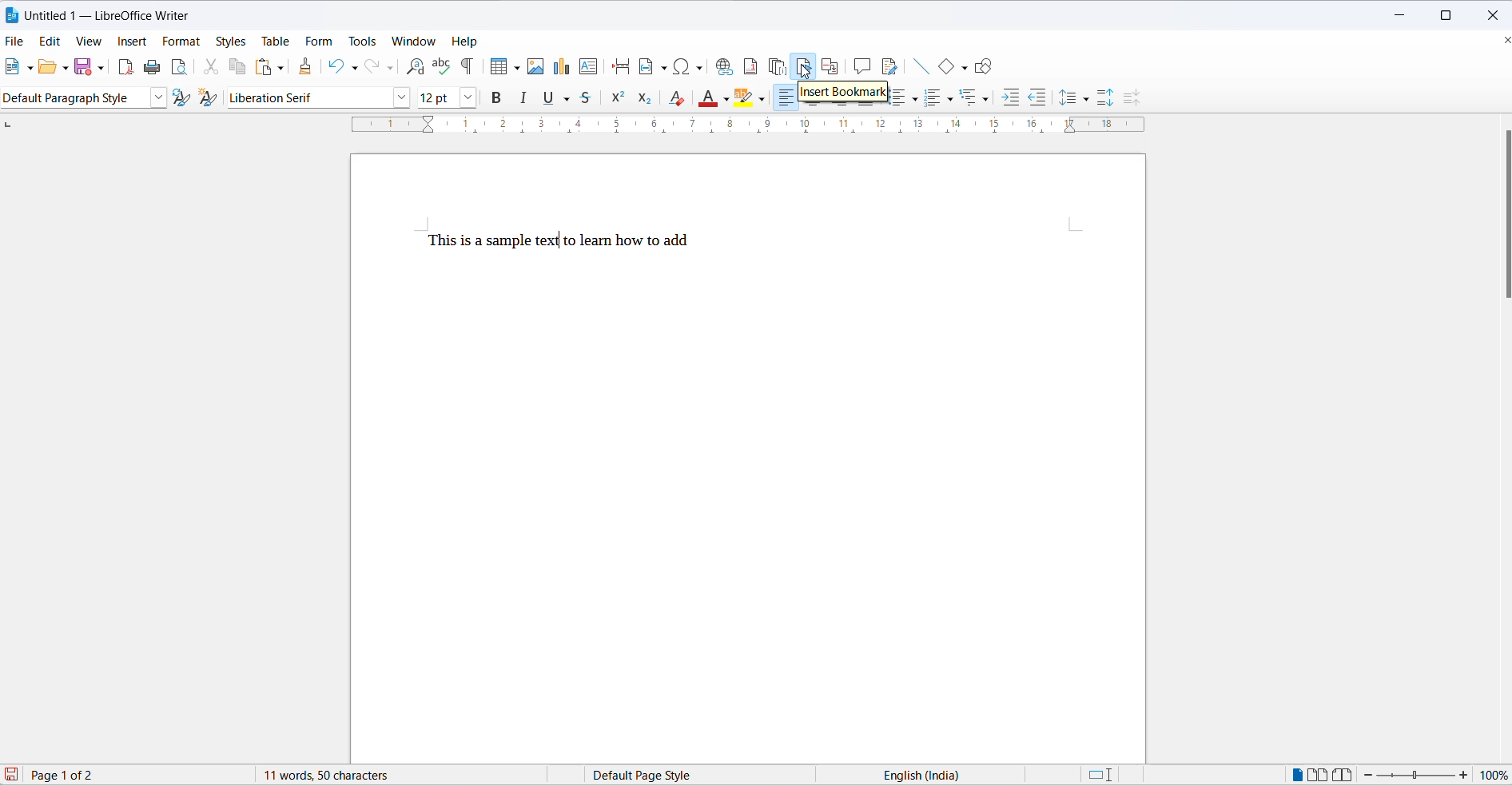 The image size is (1512, 786). I want to click on character highlight color, so click(763, 97).